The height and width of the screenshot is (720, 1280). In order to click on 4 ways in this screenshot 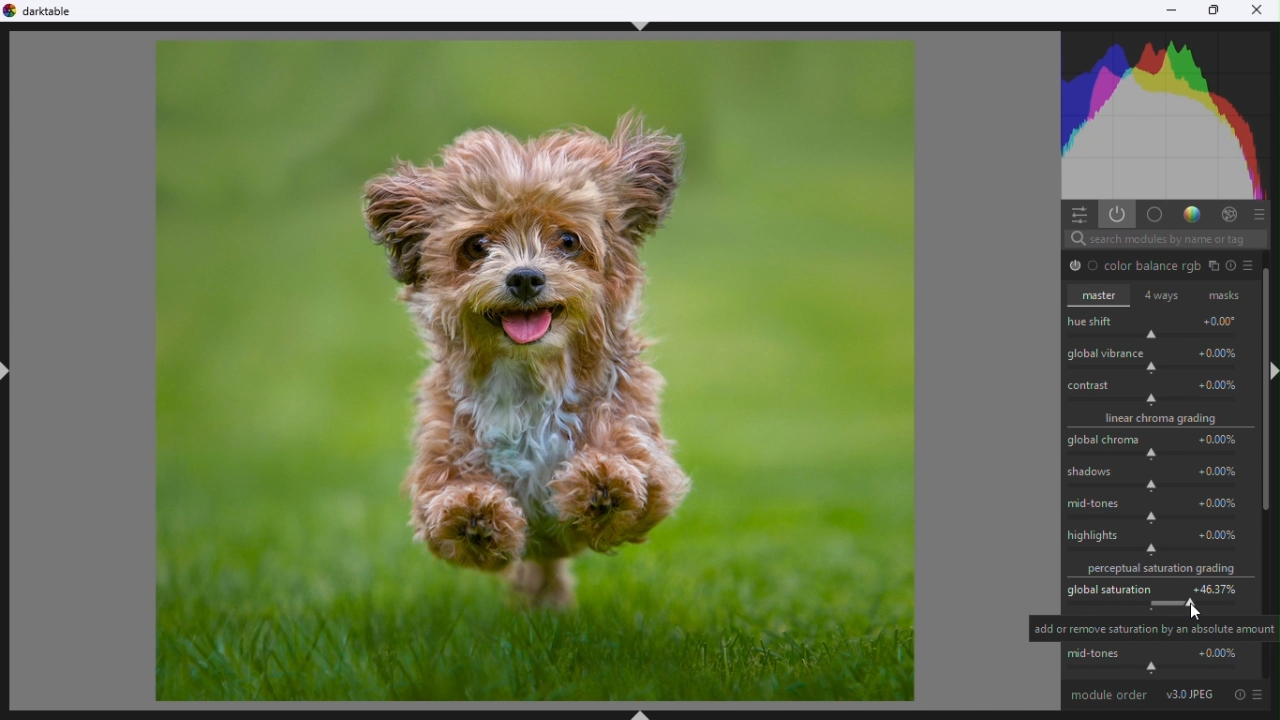, I will do `click(1163, 294)`.